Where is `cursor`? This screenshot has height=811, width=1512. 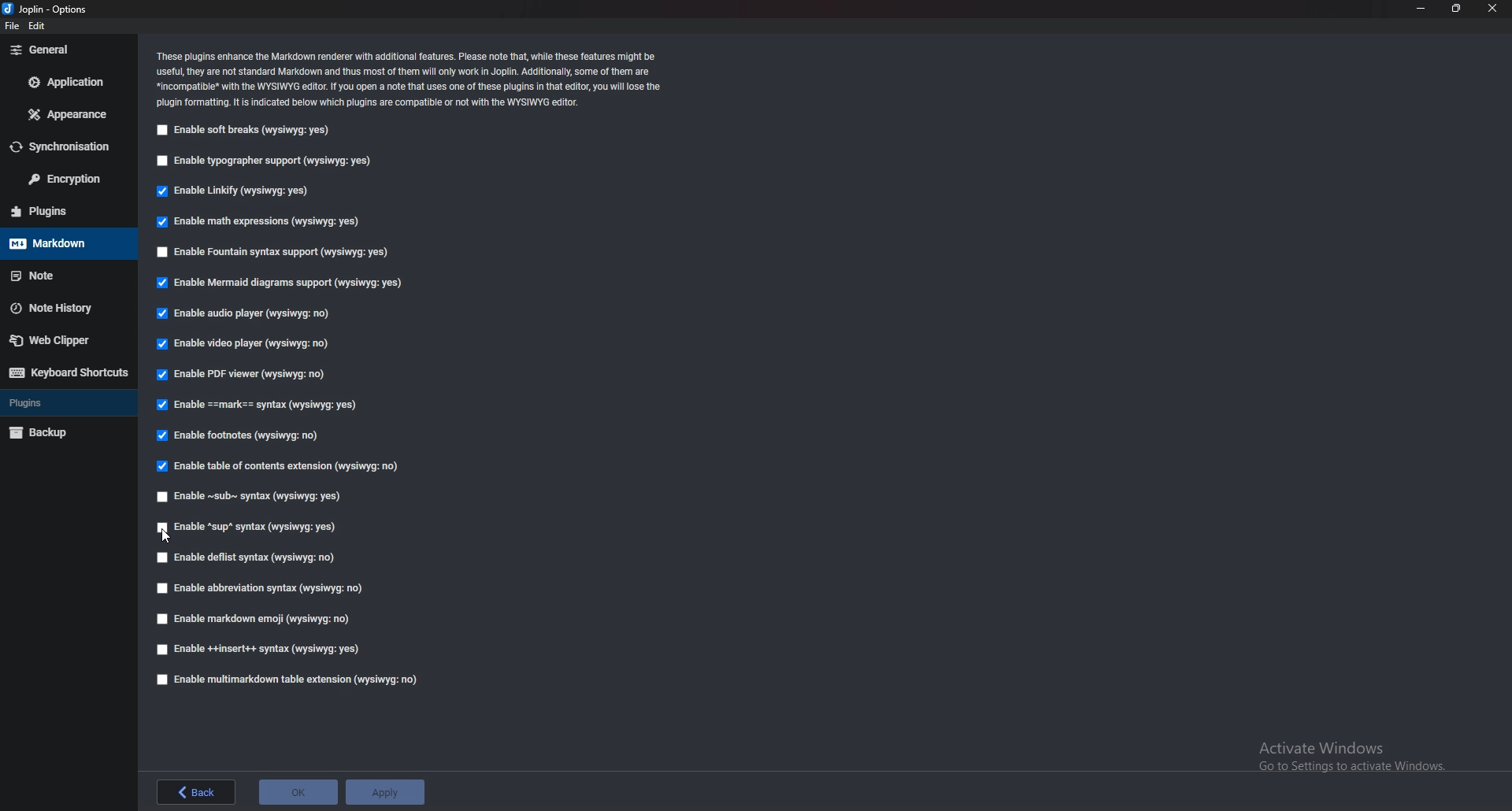 cursor is located at coordinates (168, 536).